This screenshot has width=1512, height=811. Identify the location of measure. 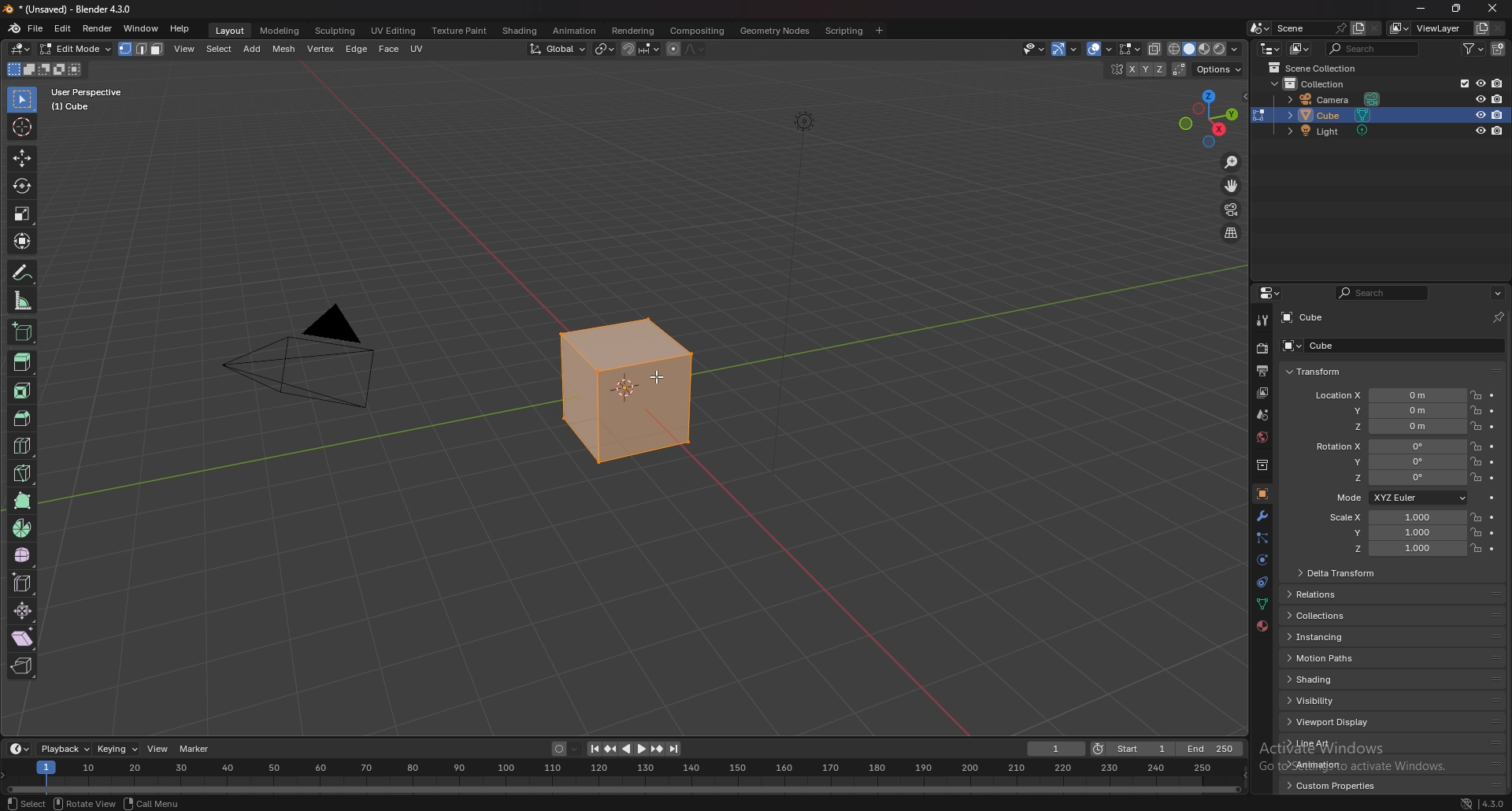
(21, 301).